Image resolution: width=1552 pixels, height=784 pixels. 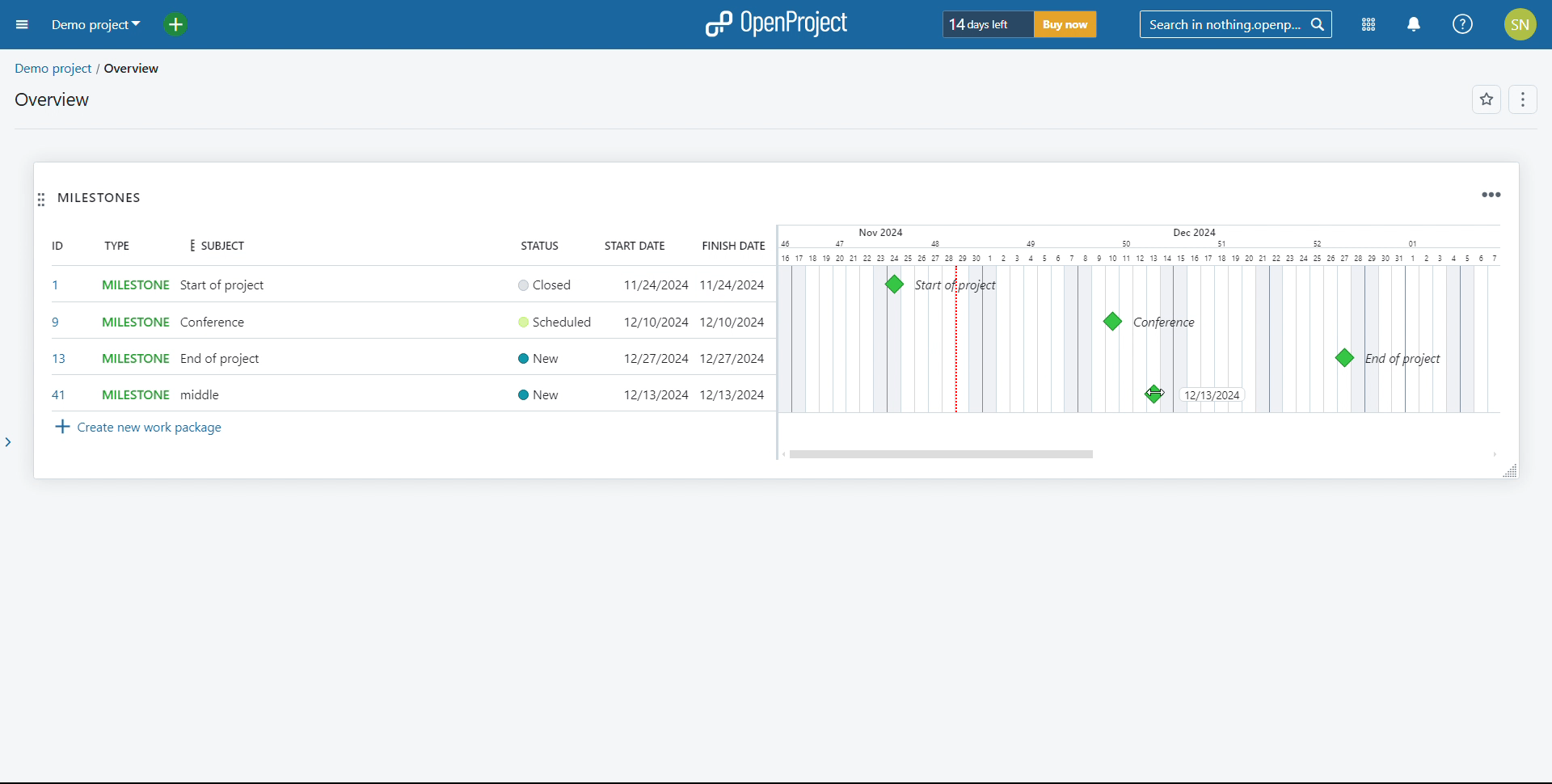 I want to click on demo project selected, so click(x=95, y=25).